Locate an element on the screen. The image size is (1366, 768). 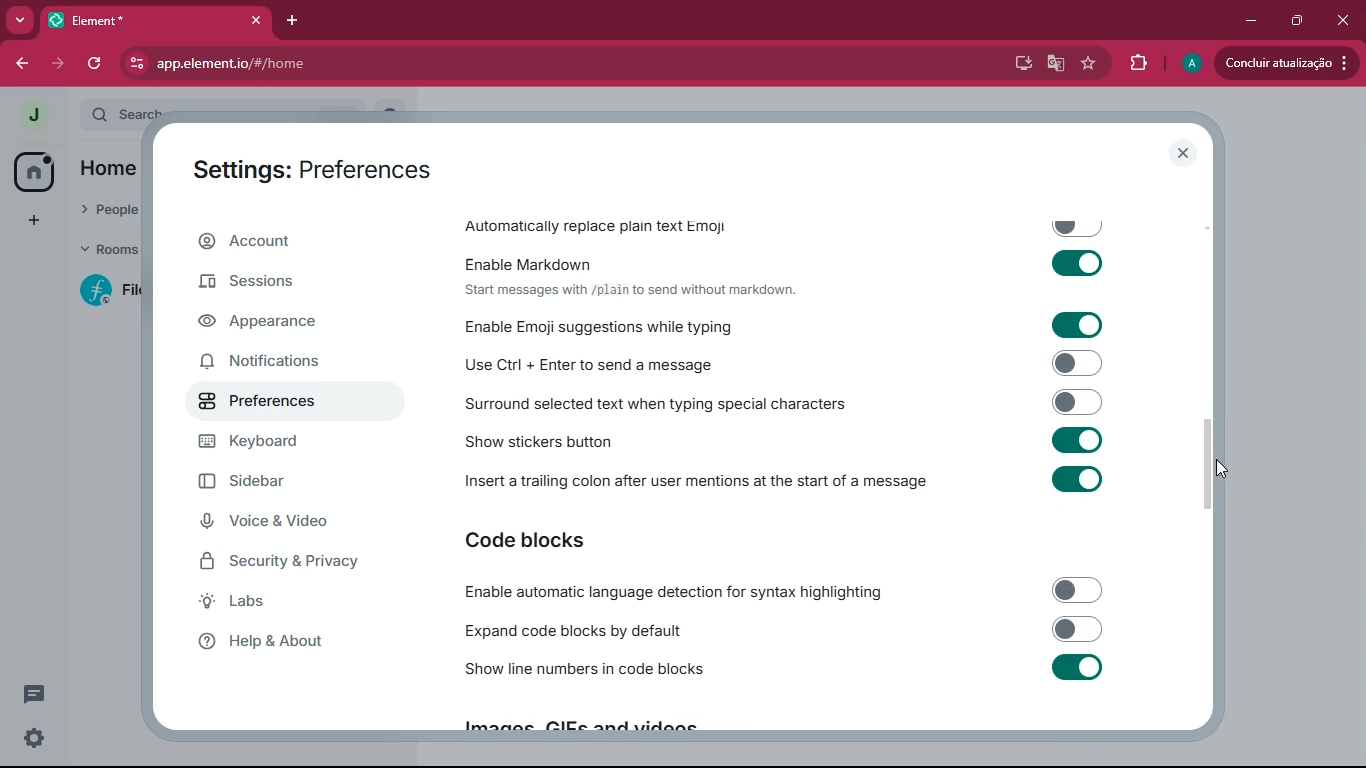
profile picture is located at coordinates (32, 116).